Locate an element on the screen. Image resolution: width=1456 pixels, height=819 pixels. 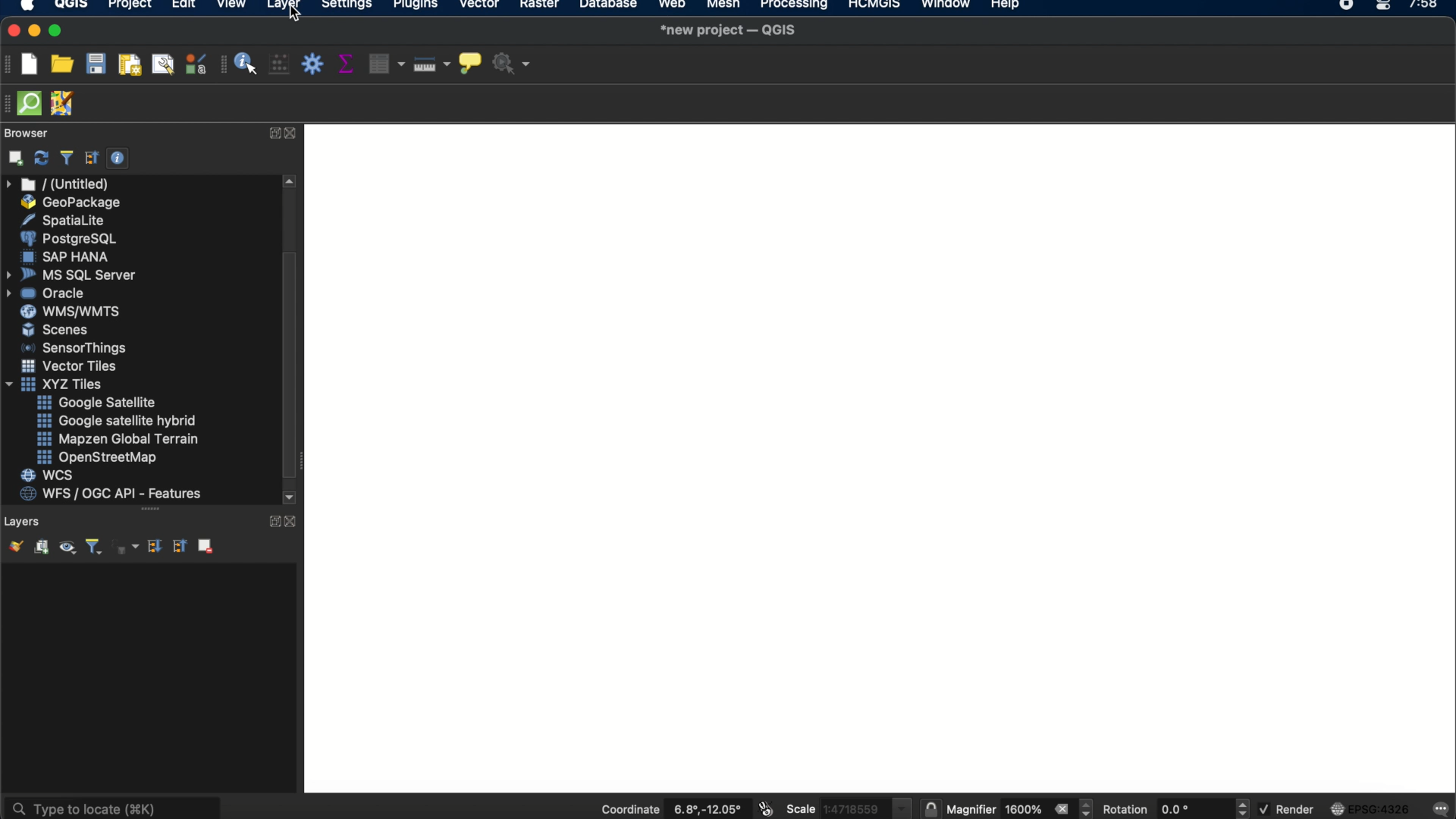
postgresql is located at coordinates (68, 239).